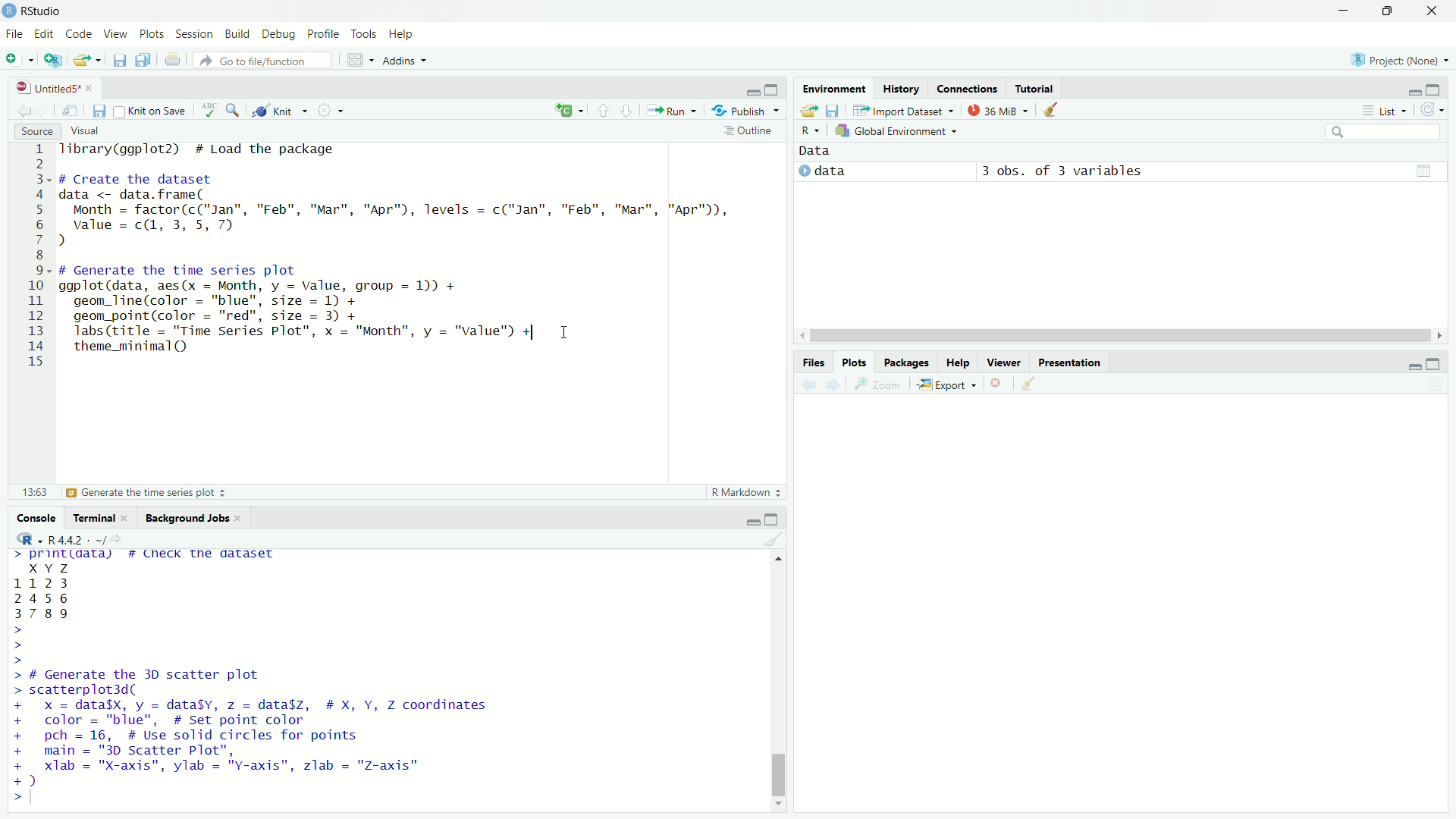 Image resolution: width=1456 pixels, height=819 pixels. Describe the element at coordinates (17, 111) in the screenshot. I see `go back to previous source location` at that location.